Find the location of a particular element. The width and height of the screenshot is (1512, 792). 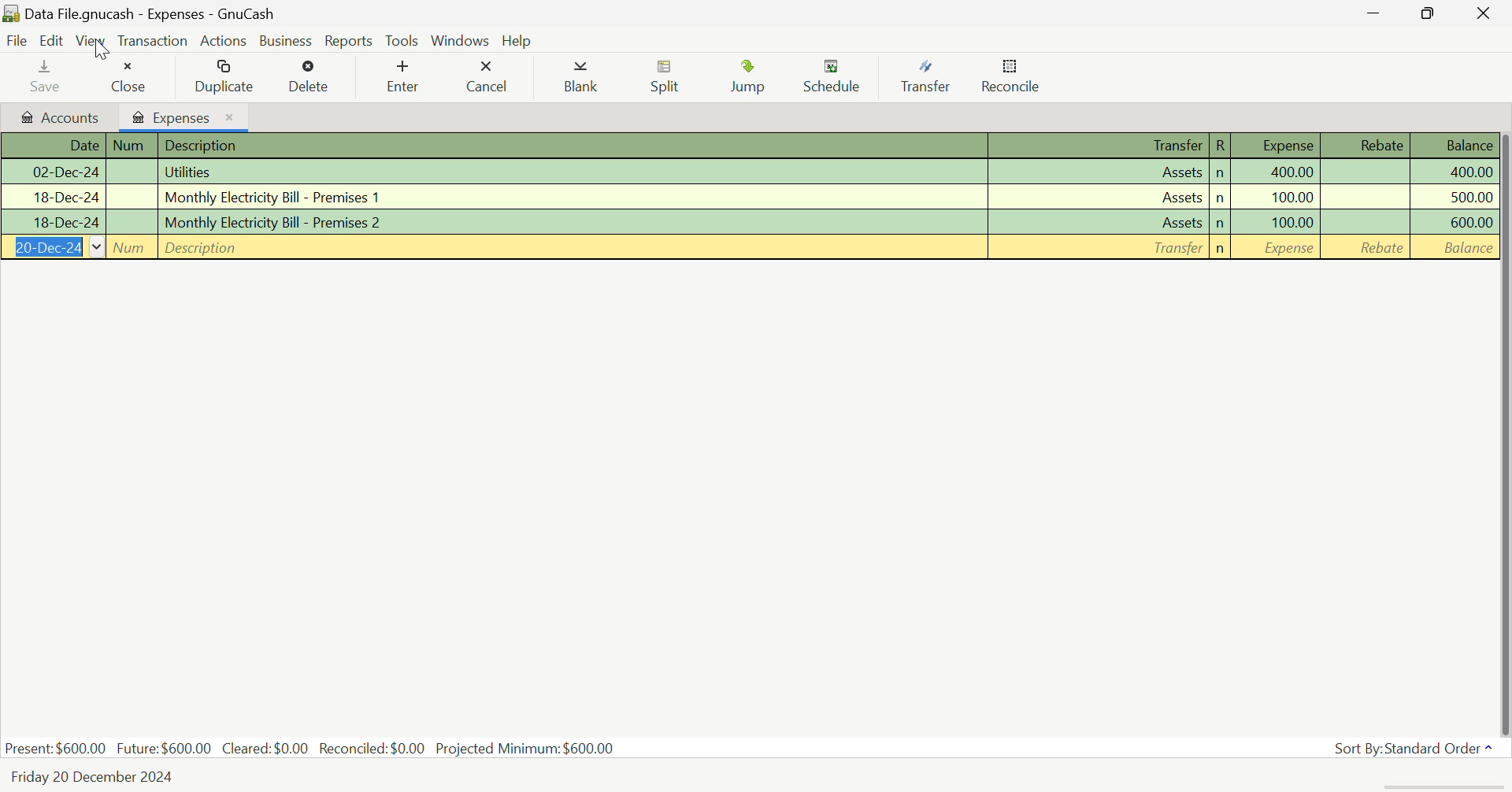

Reports is located at coordinates (348, 39).